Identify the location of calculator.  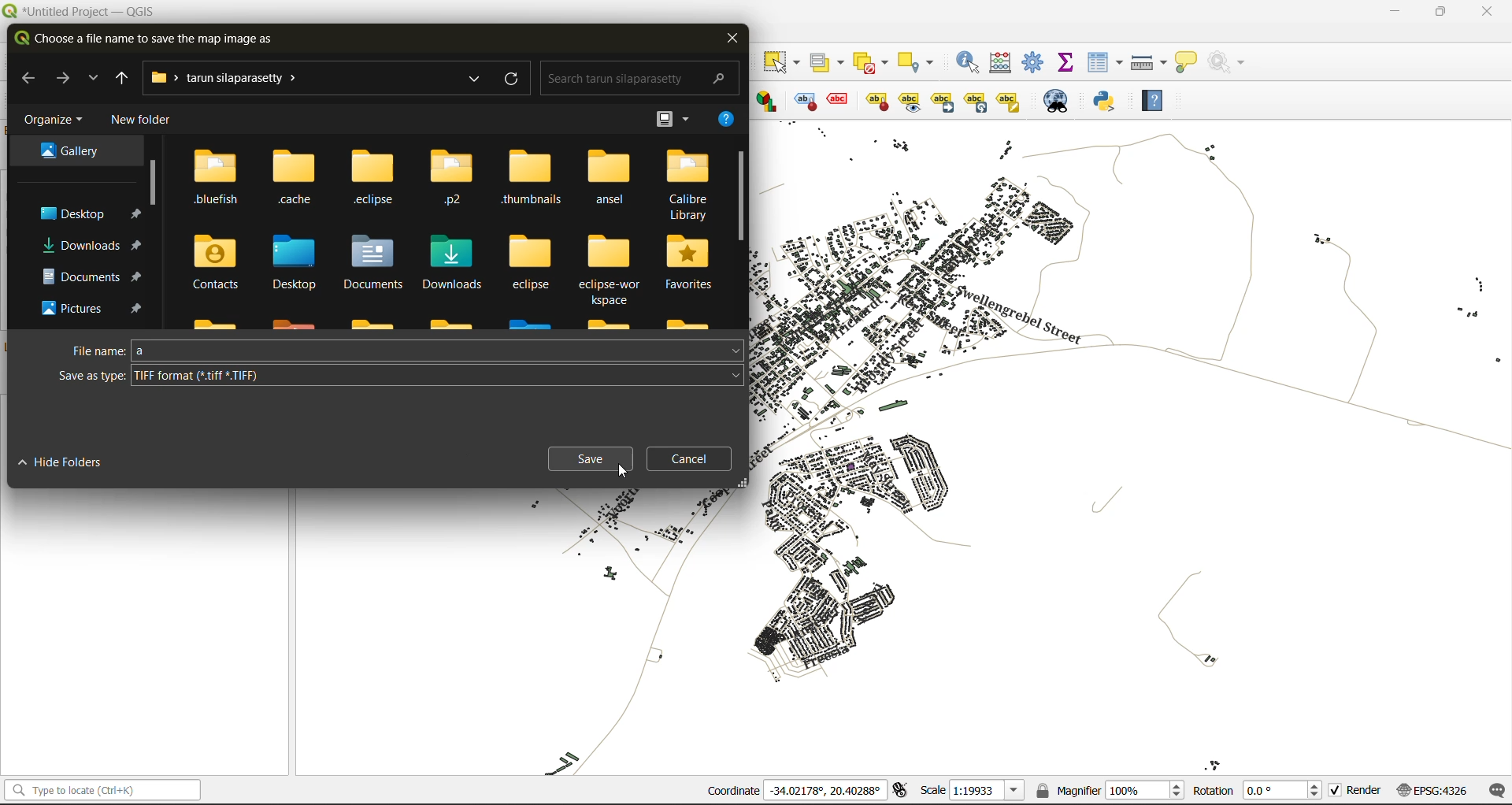
(1003, 63).